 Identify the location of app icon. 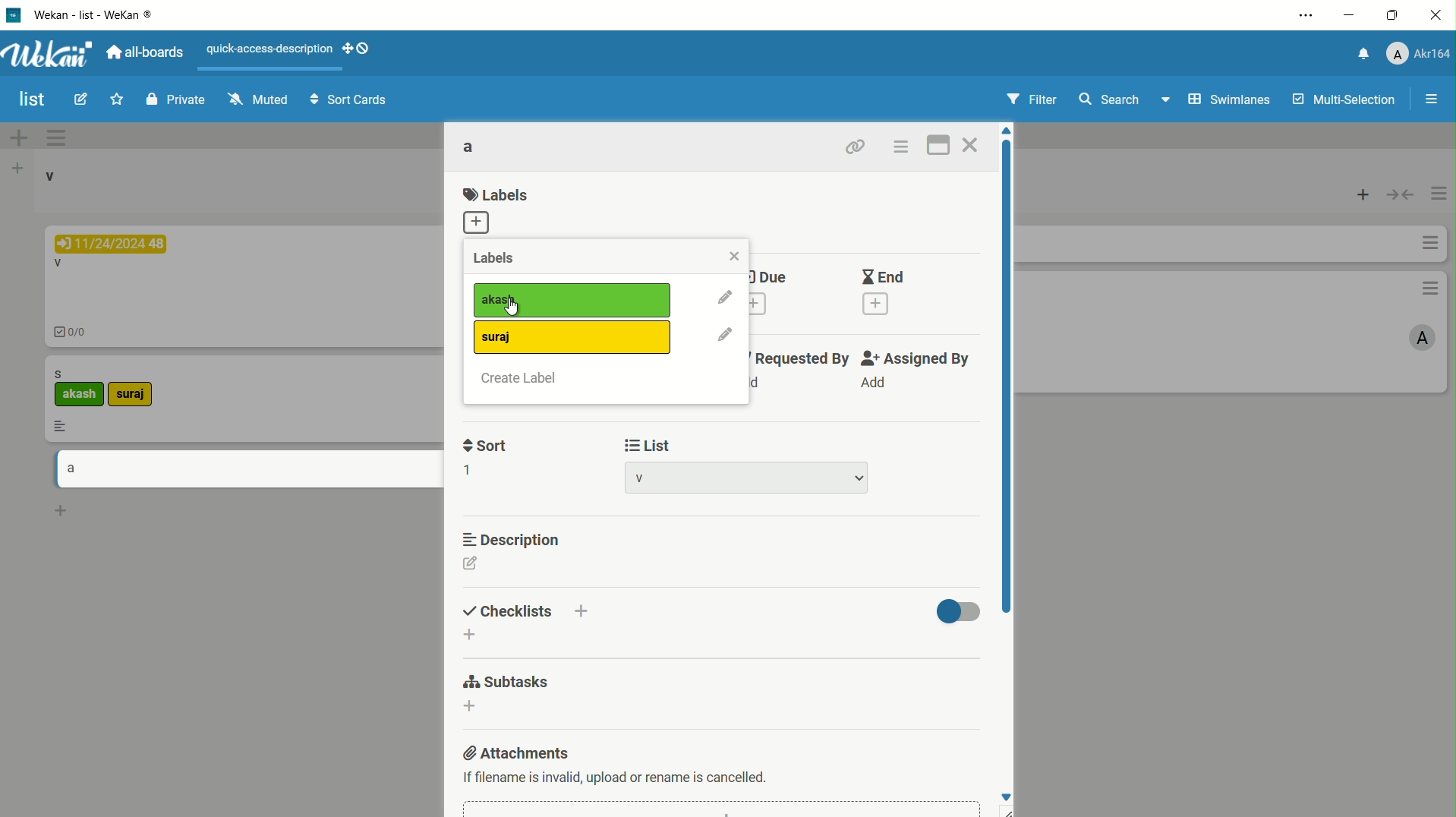
(15, 14).